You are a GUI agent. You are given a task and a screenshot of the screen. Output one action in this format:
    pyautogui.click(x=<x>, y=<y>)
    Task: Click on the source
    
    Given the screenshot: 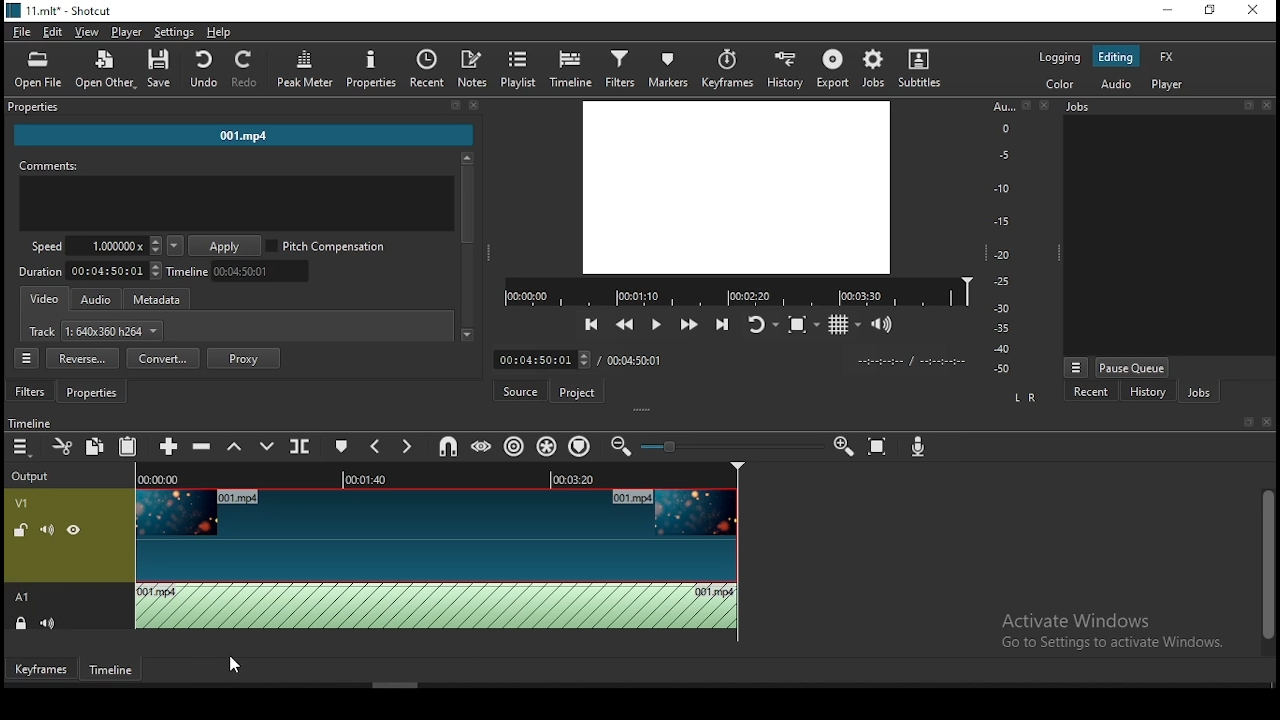 What is the action you would take?
    pyautogui.click(x=521, y=392)
    